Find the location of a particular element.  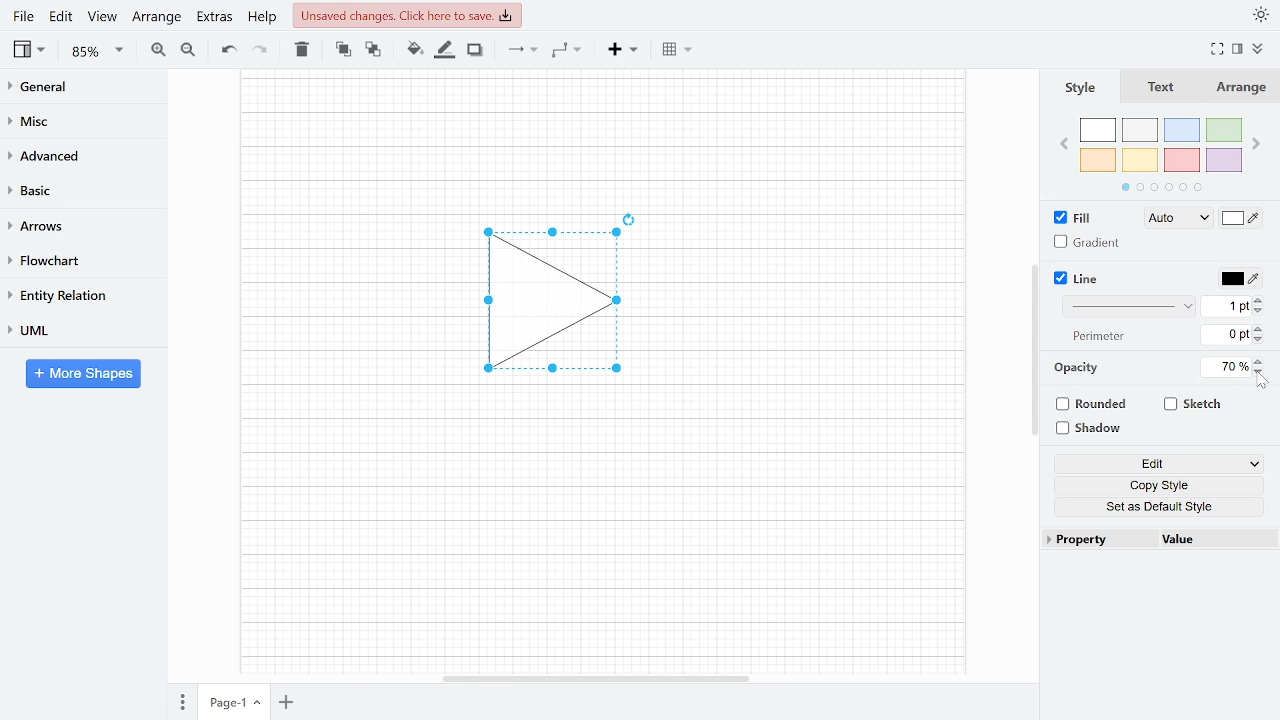

Add page is located at coordinates (290, 704).